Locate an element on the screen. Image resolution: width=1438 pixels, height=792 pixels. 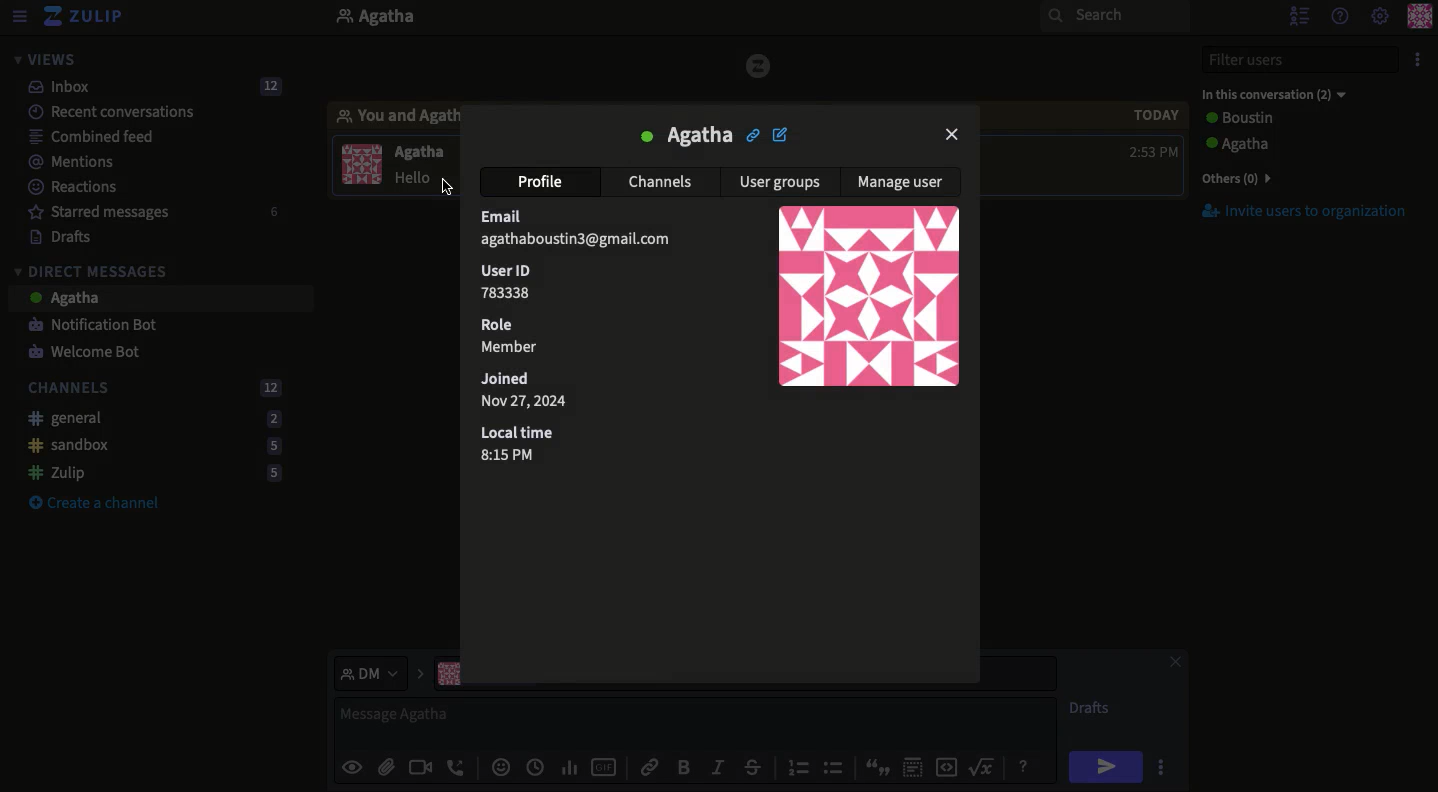
Invite users to organization is located at coordinates (1304, 211).